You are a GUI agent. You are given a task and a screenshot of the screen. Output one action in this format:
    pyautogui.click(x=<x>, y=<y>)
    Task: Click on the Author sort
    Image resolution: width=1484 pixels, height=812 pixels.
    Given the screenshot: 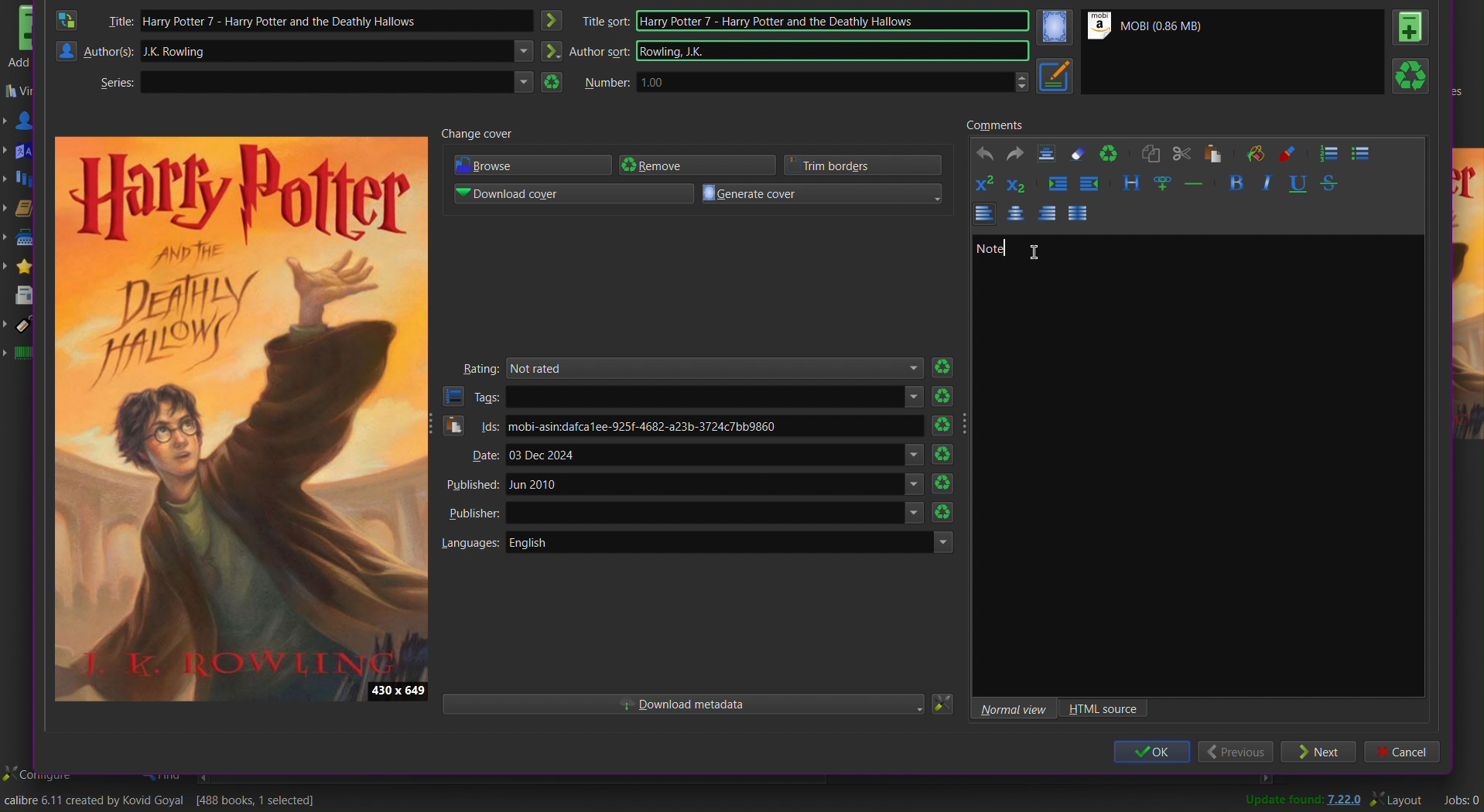 What is the action you would take?
    pyautogui.click(x=602, y=51)
    